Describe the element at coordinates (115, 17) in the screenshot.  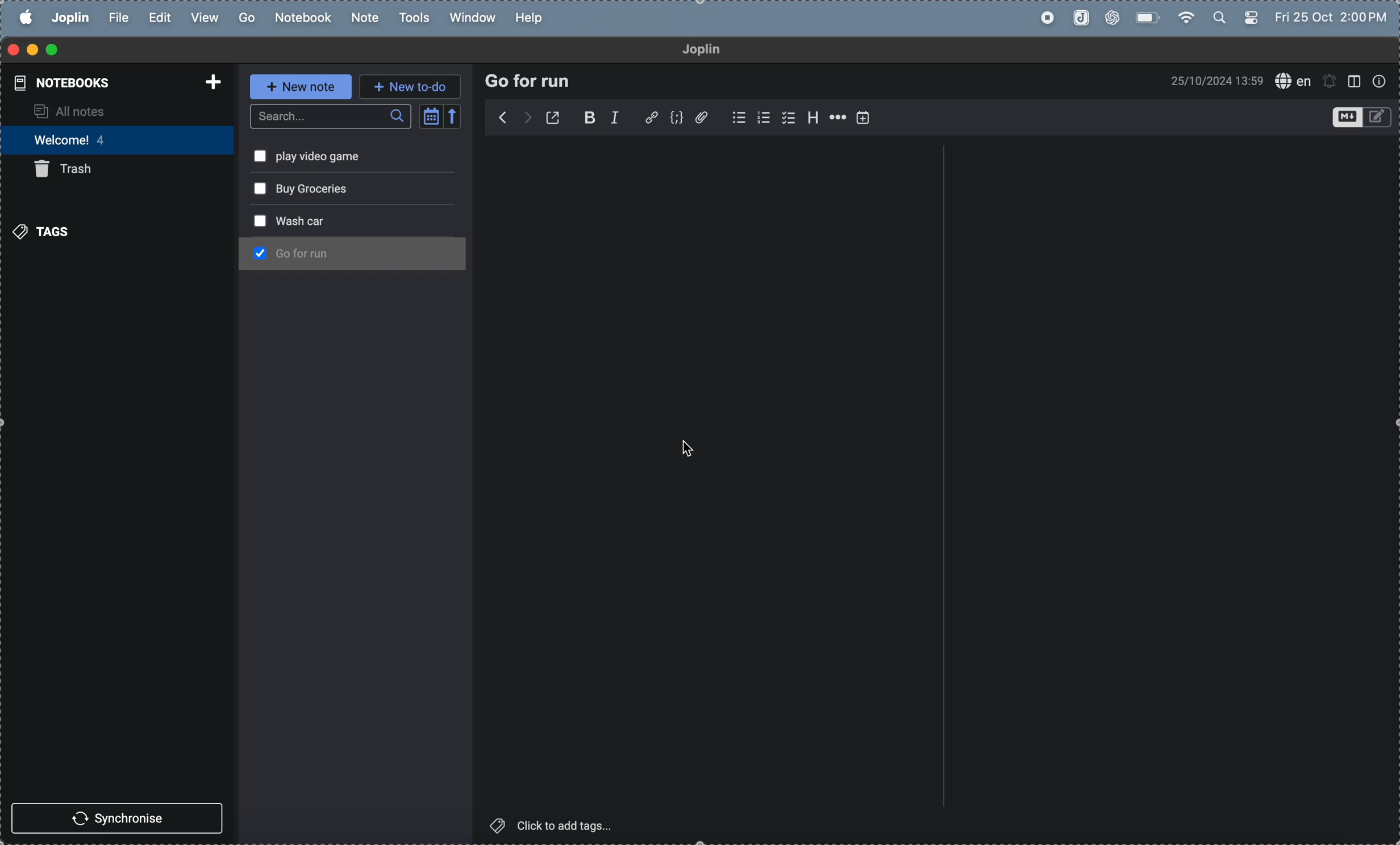
I see `file` at that location.